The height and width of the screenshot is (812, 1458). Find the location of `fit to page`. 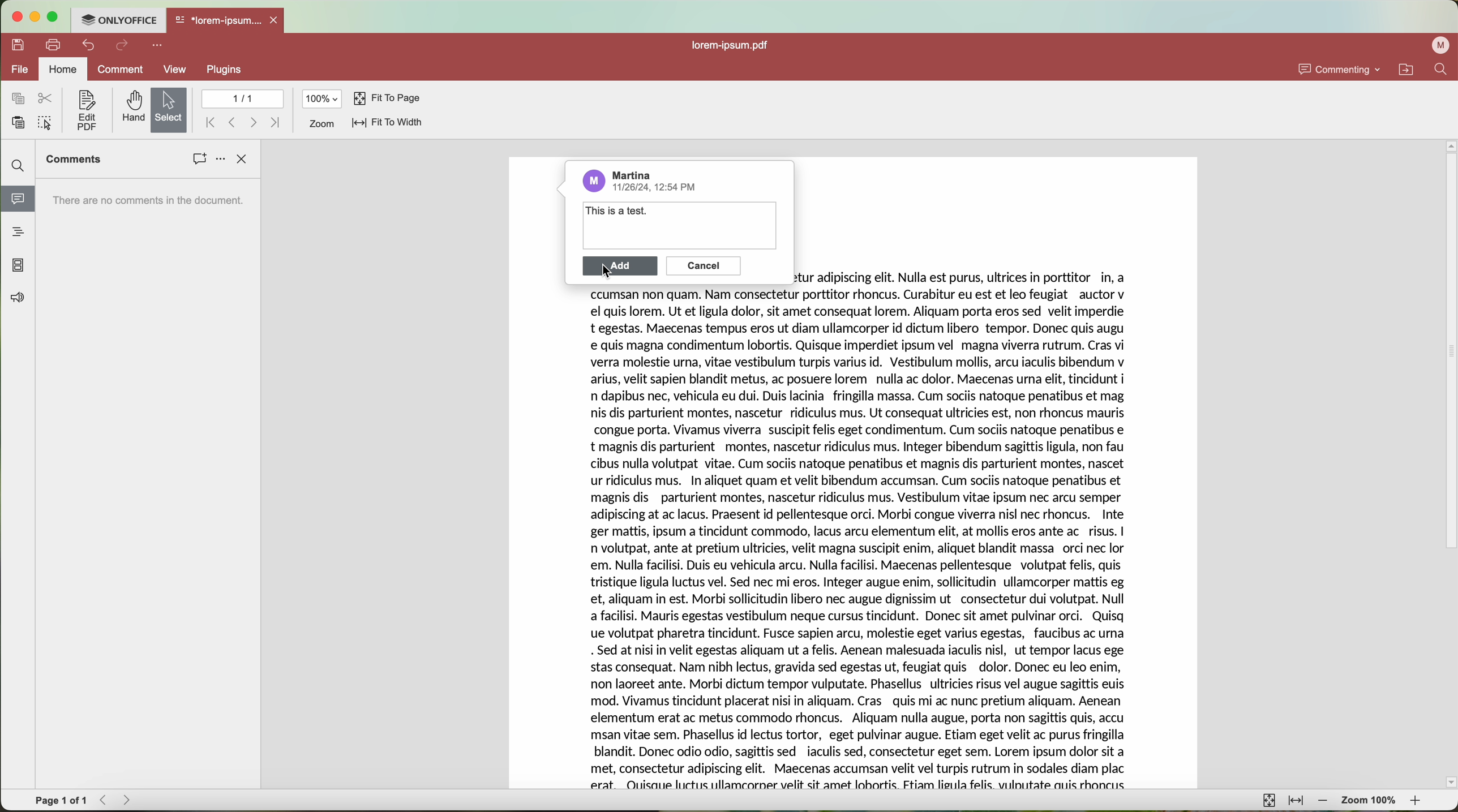

fit to page is located at coordinates (387, 100).